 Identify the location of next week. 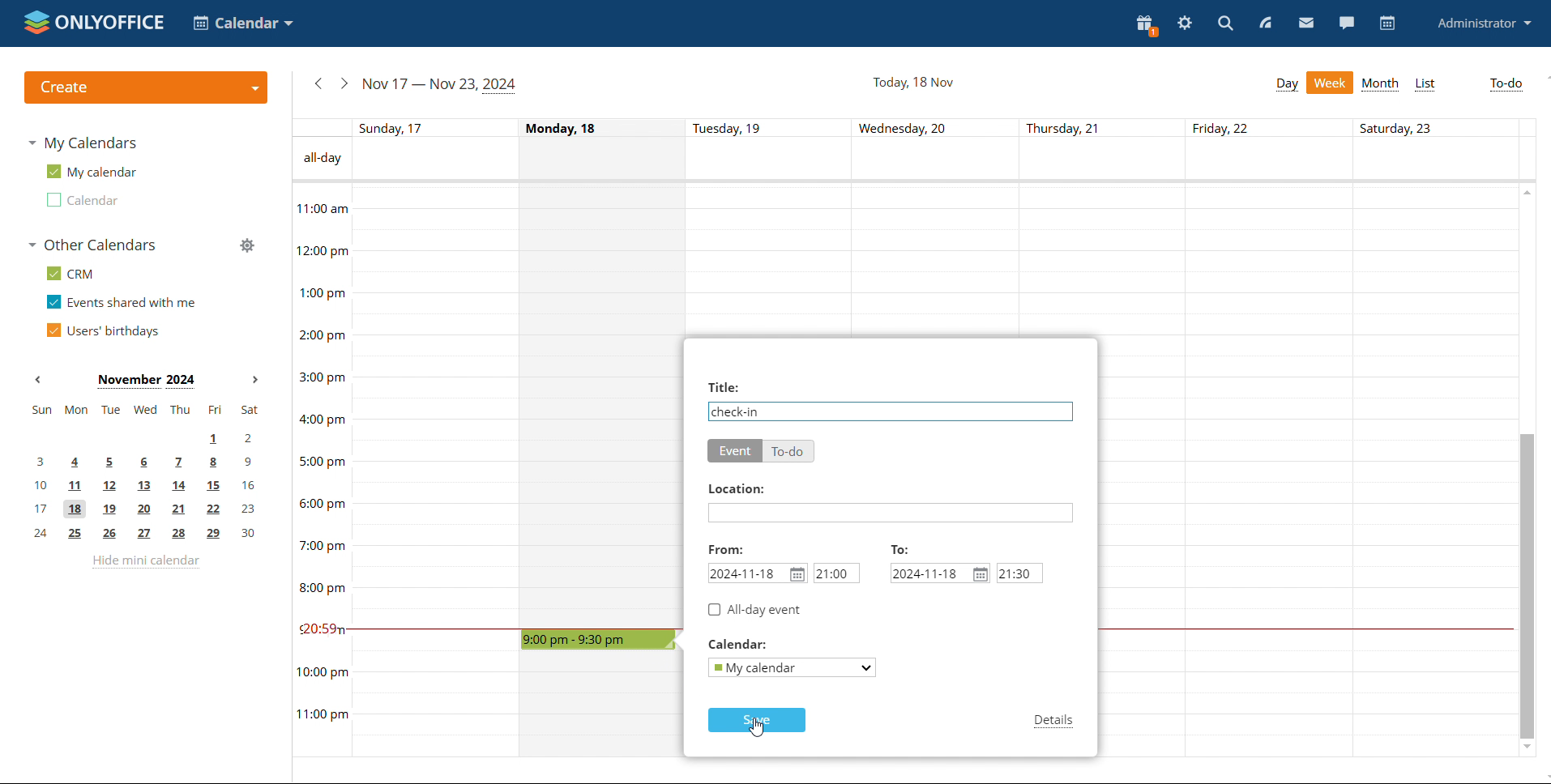
(344, 83).